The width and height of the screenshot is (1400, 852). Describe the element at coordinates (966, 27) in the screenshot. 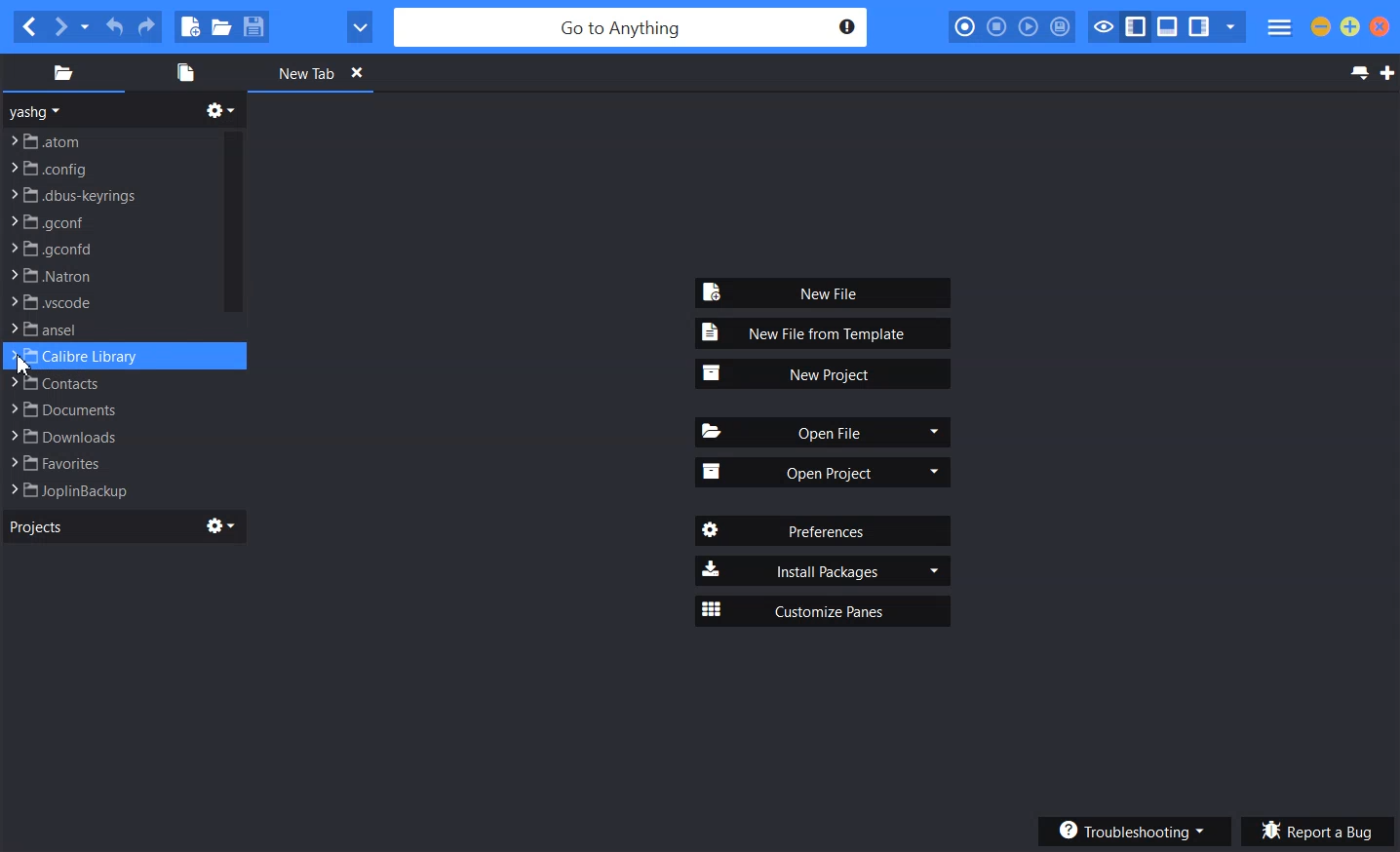

I see `Record Macro` at that location.